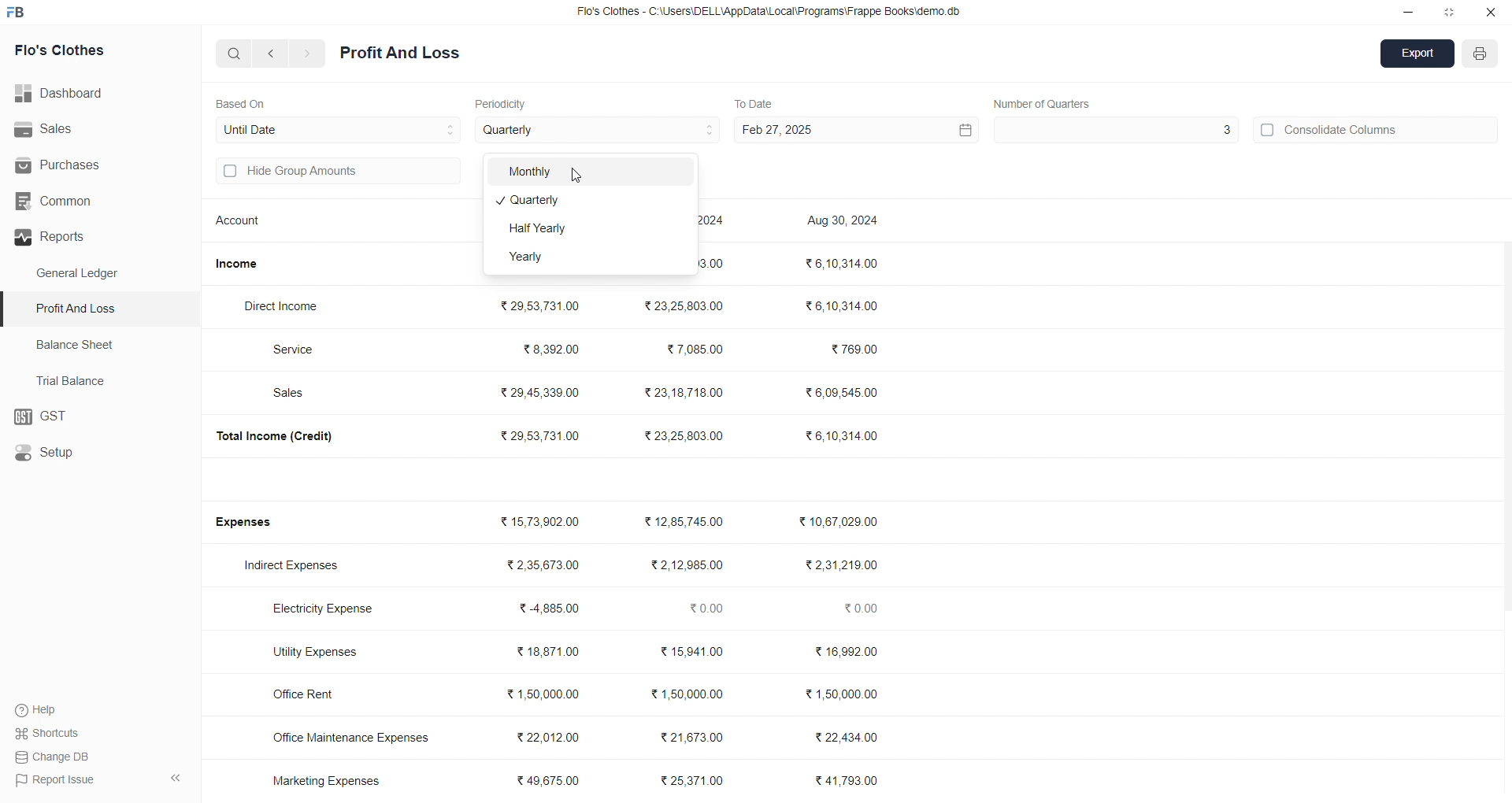  I want to click on ₹6,10,314.00, so click(839, 262).